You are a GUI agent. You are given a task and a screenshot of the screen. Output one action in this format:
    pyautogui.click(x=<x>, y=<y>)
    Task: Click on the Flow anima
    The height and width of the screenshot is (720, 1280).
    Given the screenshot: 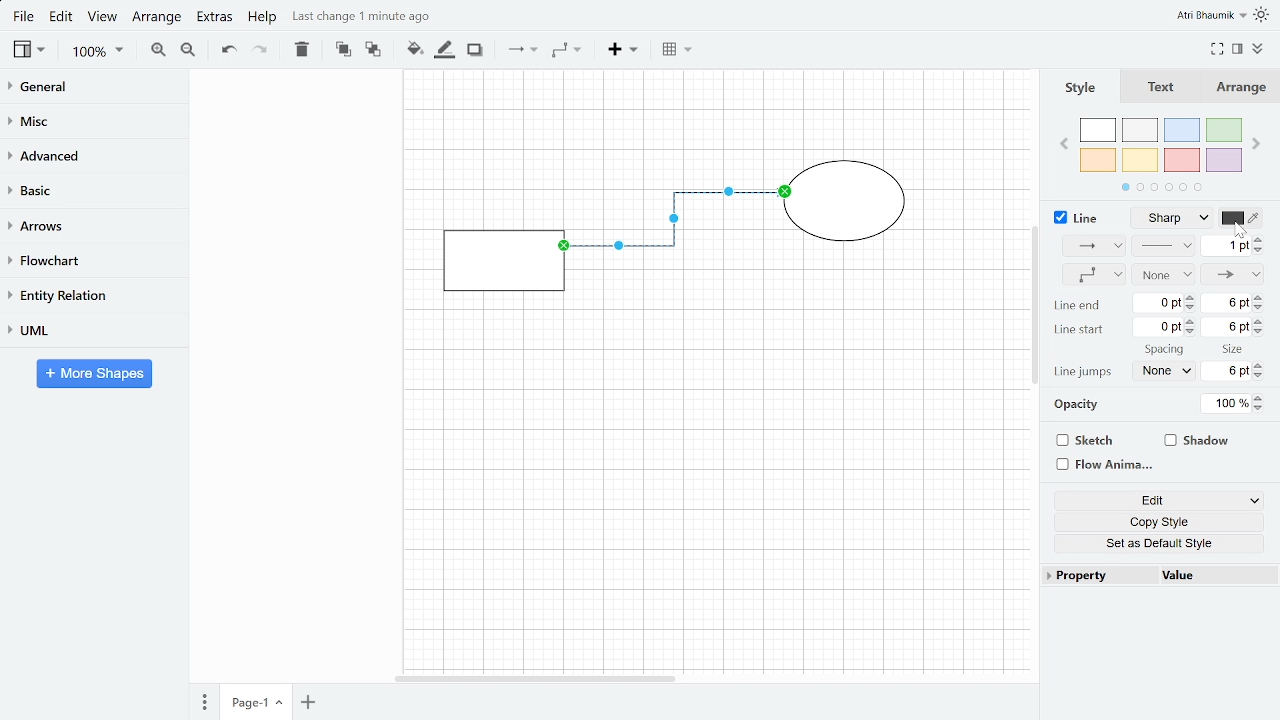 What is the action you would take?
    pyautogui.click(x=1101, y=465)
    